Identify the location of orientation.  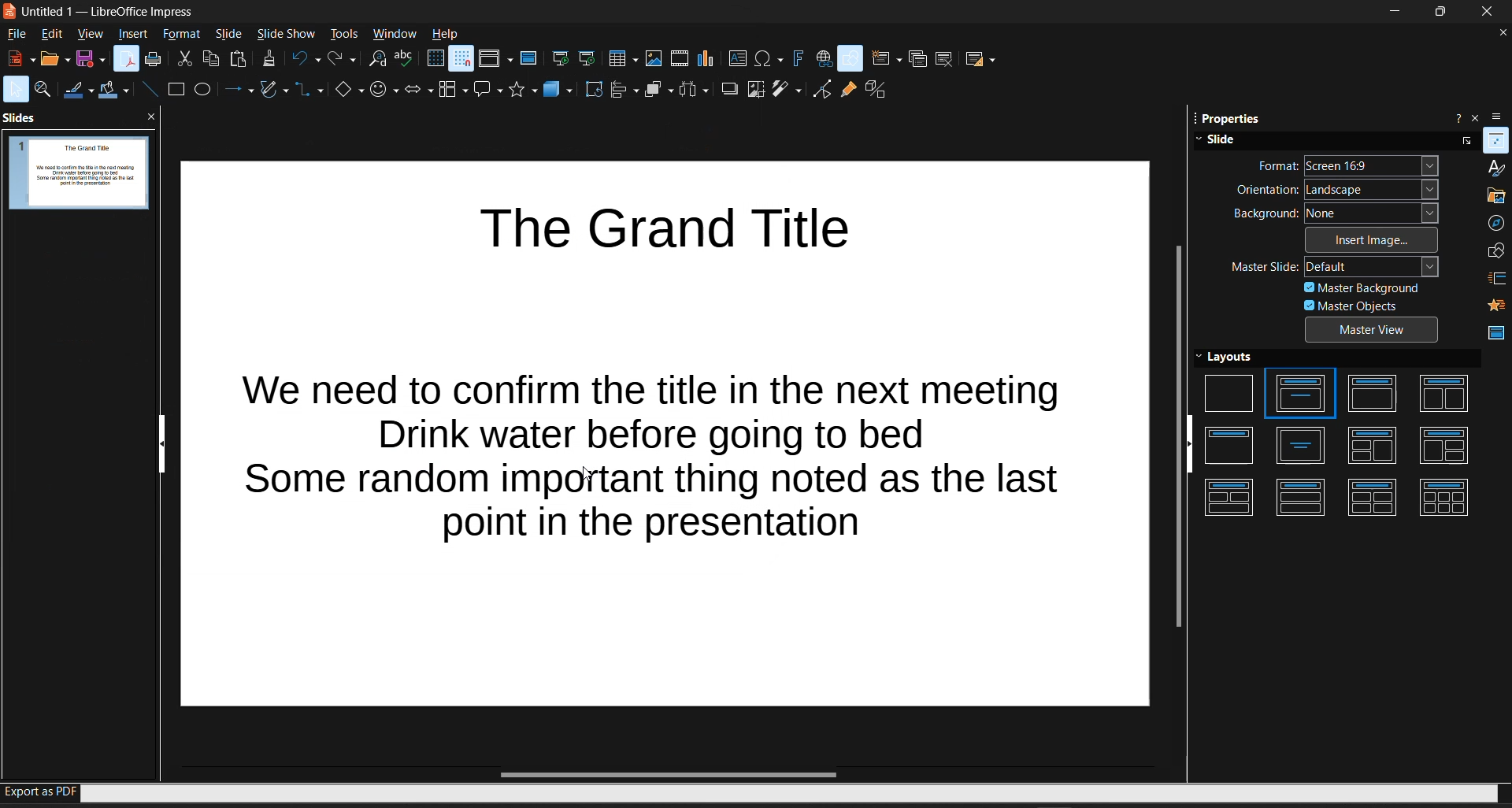
(1339, 191).